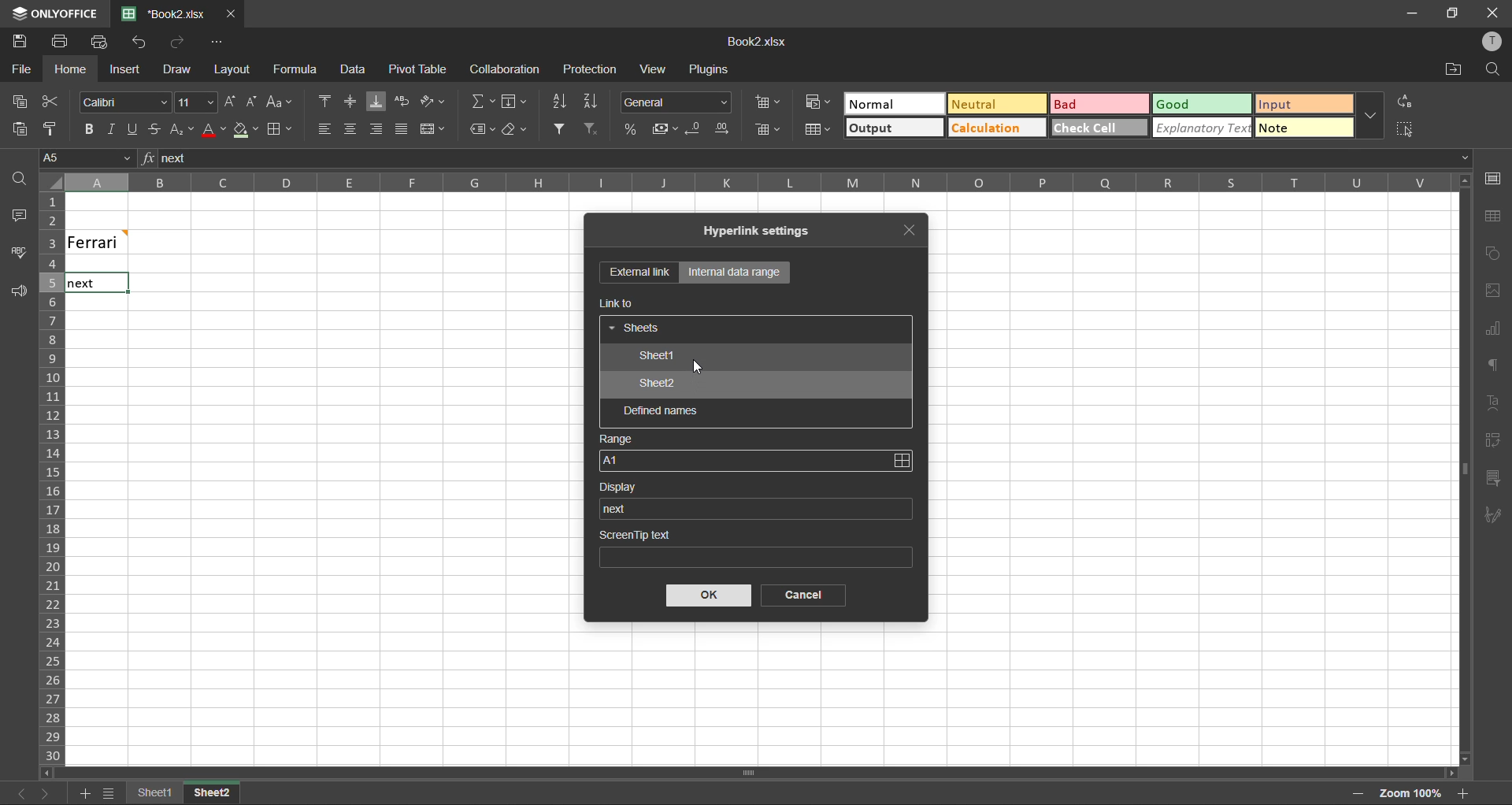  I want to click on Vertical Scrollbar, so click(751, 774).